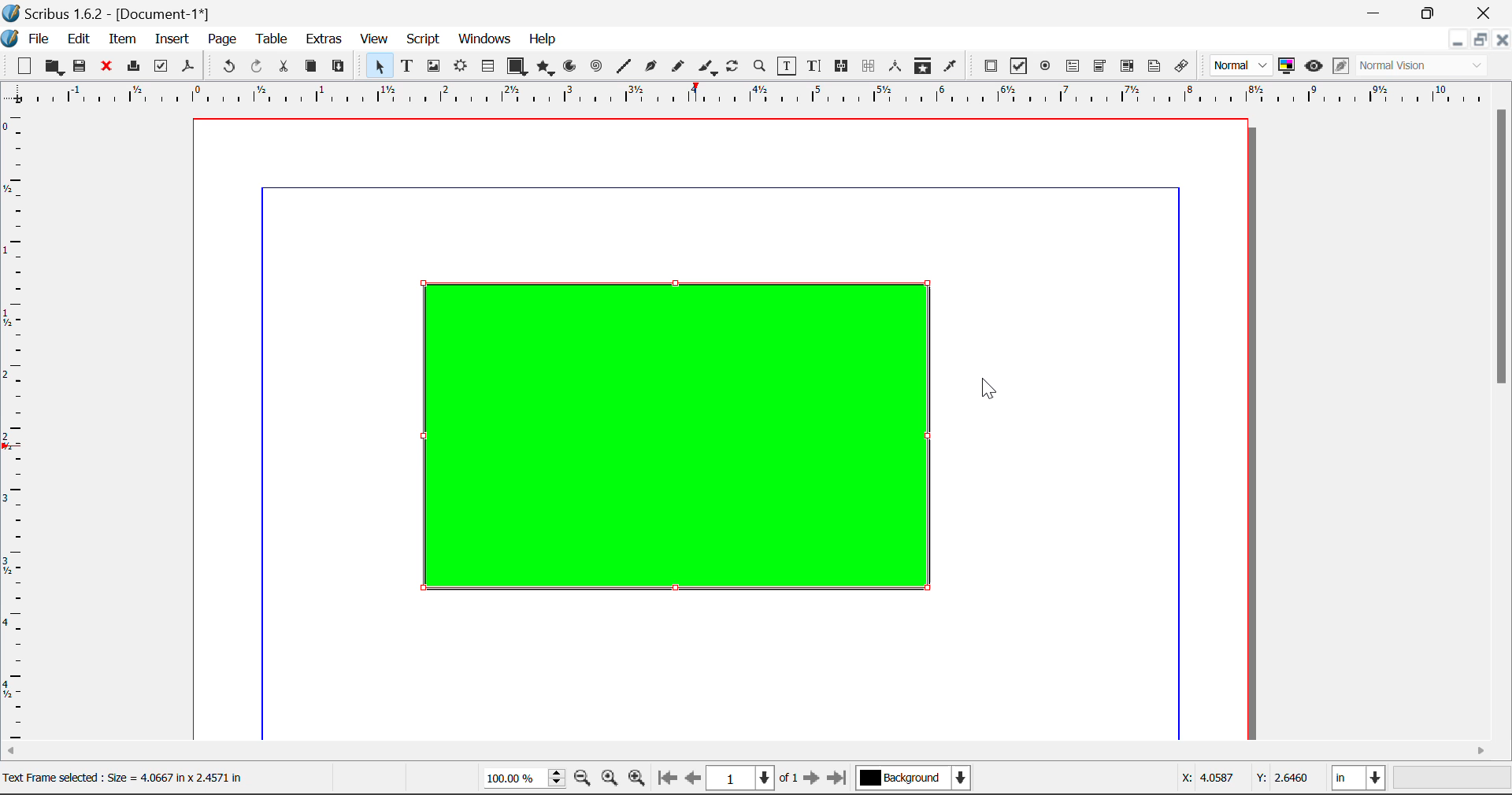  What do you see at coordinates (1125, 66) in the screenshot?
I see `Pdf Listbox` at bounding box center [1125, 66].